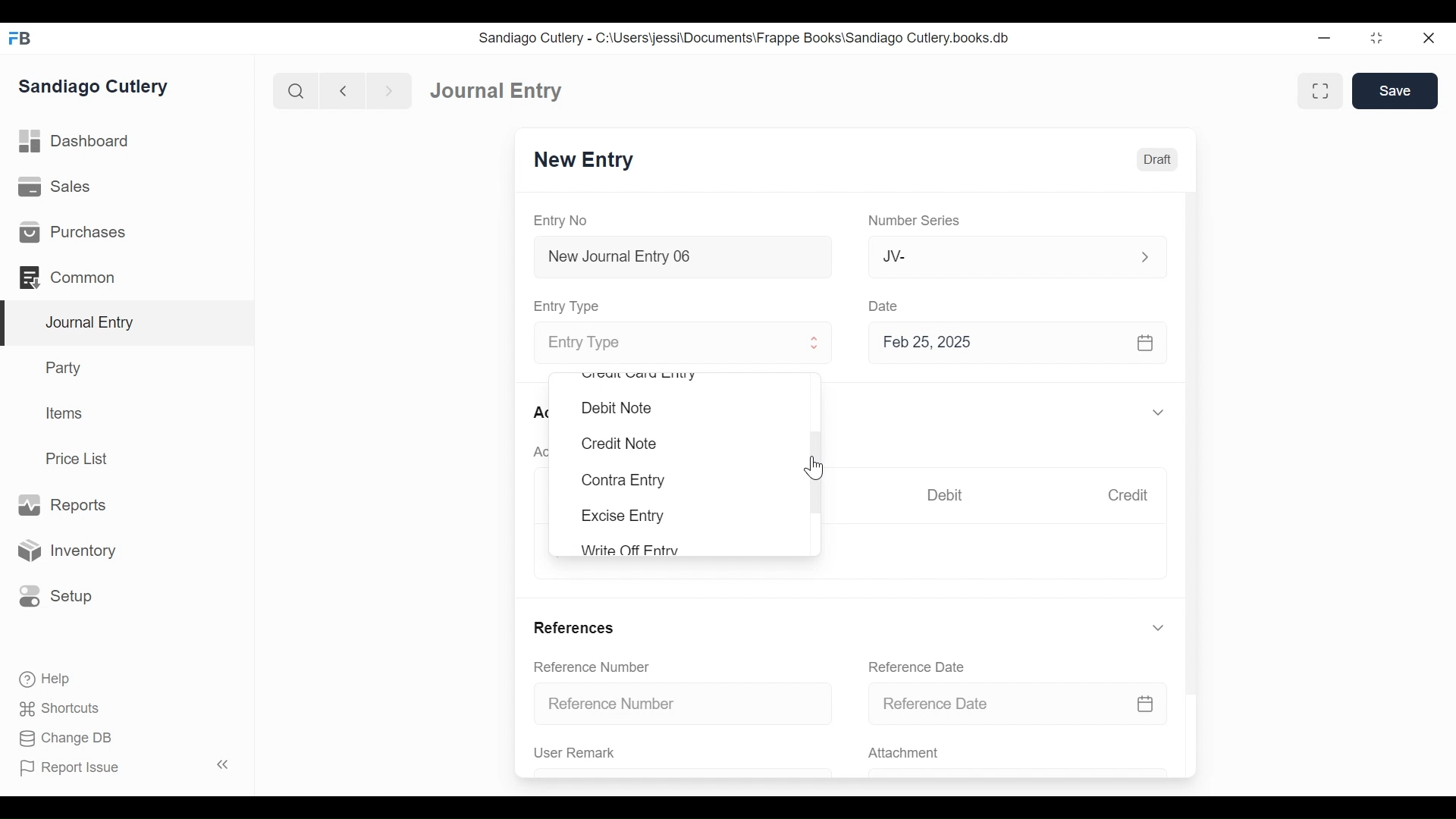  What do you see at coordinates (67, 367) in the screenshot?
I see `Party` at bounding box center [67, 367].